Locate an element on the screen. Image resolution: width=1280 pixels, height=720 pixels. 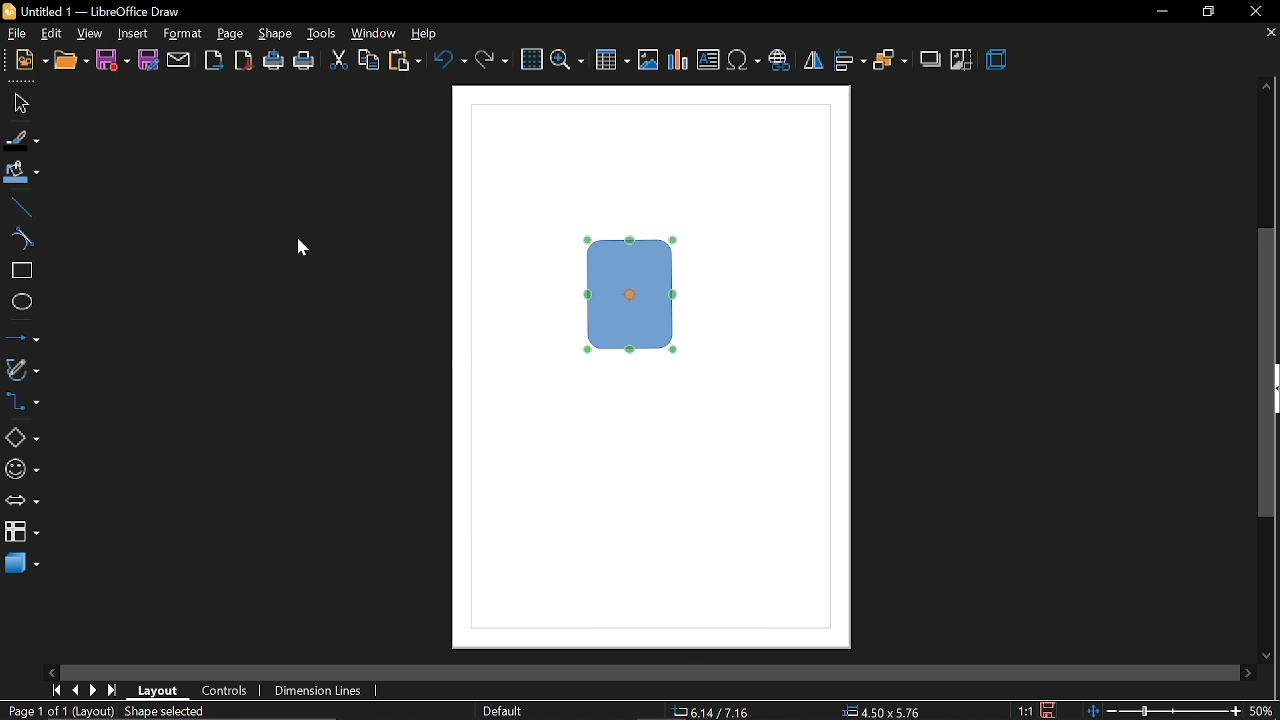
copy is located at coordinates (369, 62).